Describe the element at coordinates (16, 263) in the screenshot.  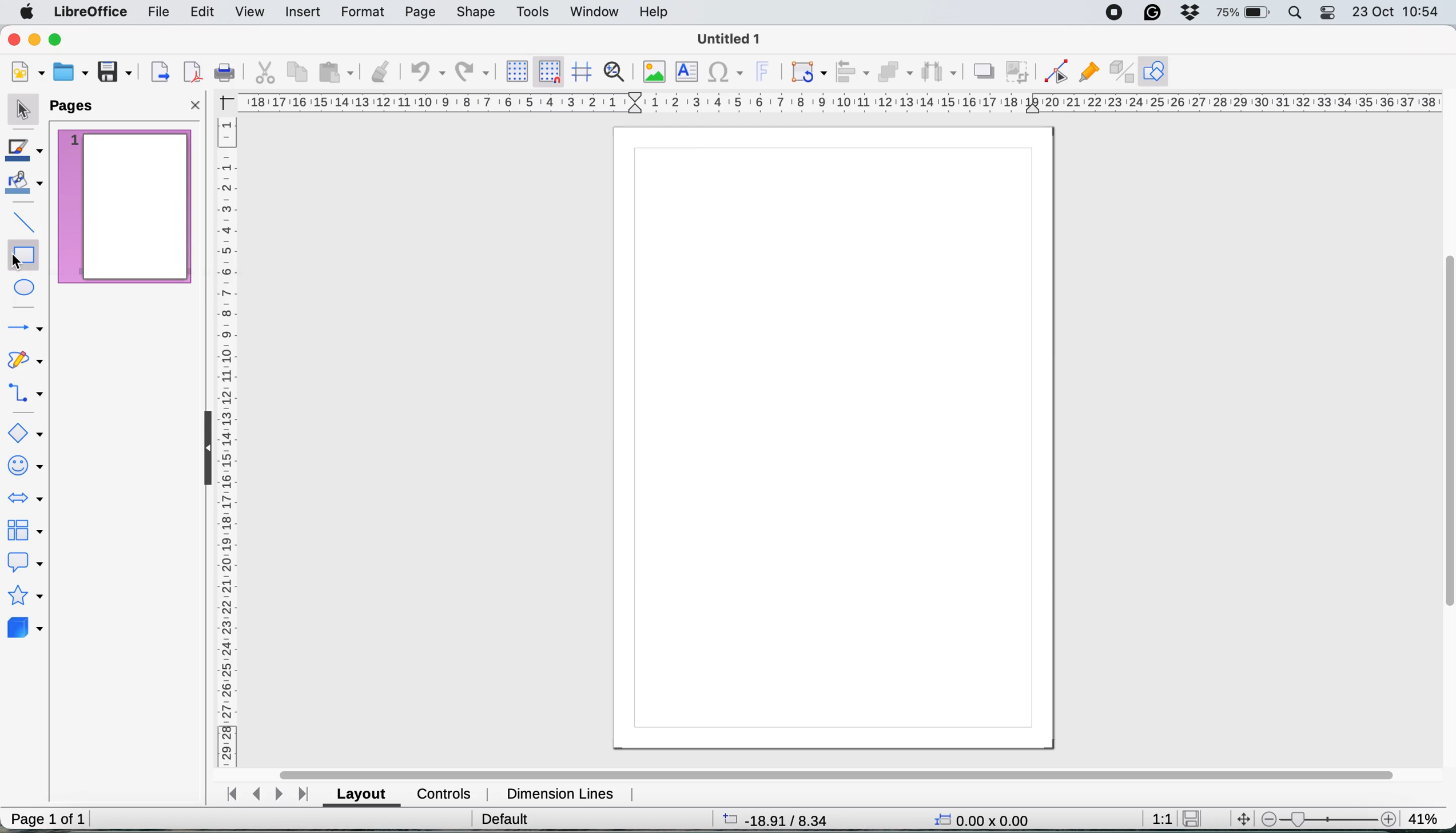
I see `cursor` at that location.